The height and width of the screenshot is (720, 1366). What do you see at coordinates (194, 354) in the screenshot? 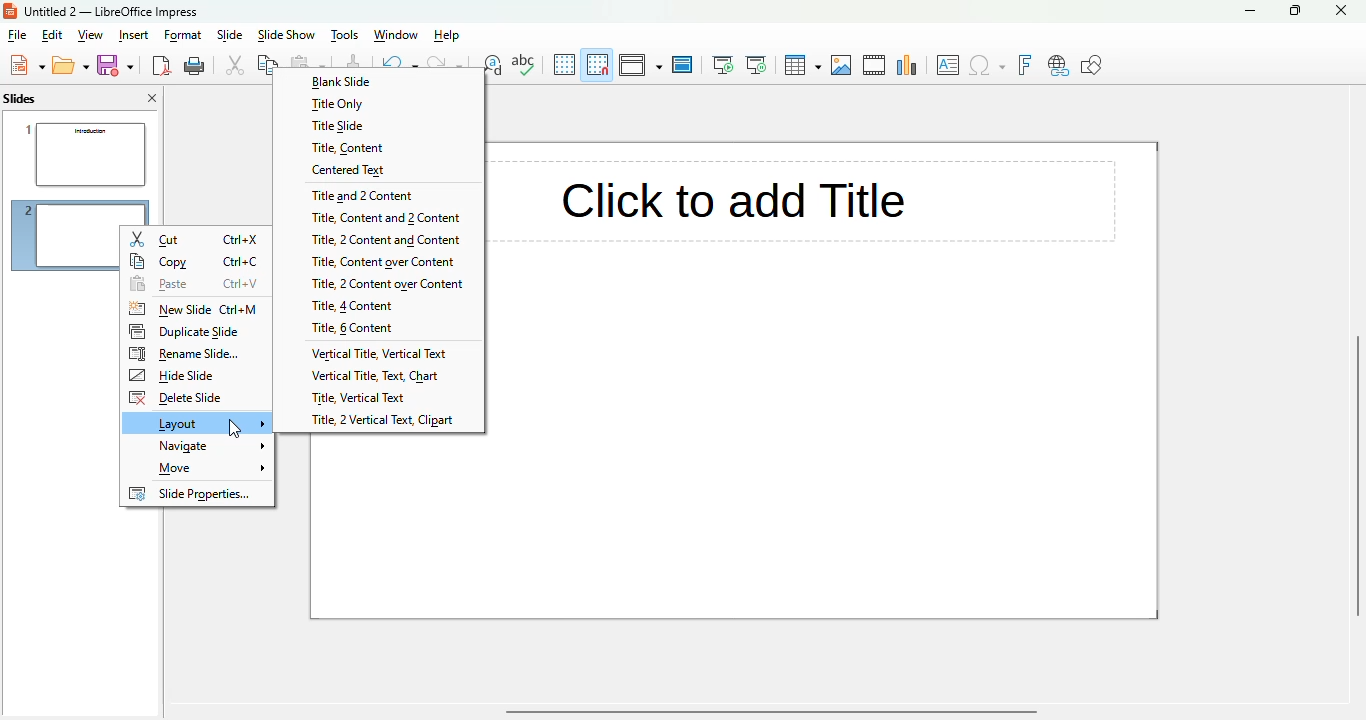
I see `rename slide` at bounding box center [194, 354].